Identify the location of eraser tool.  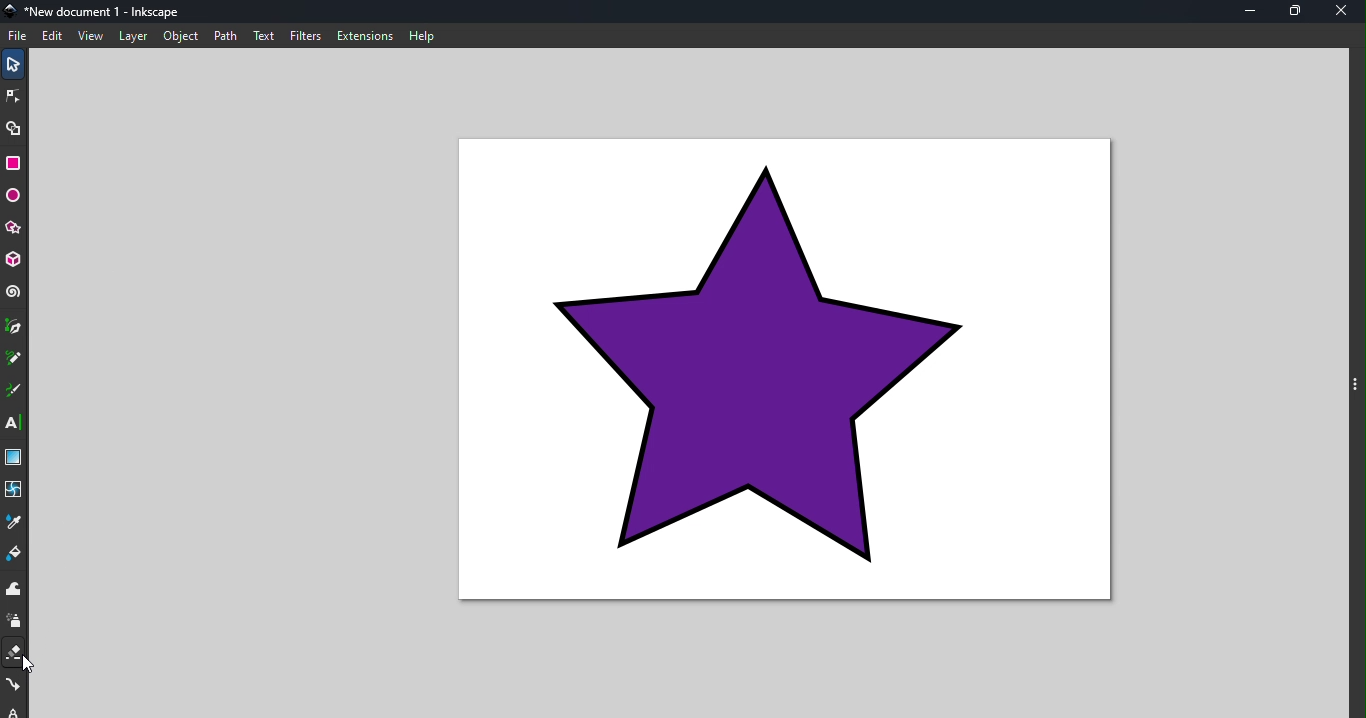
(15, 652).